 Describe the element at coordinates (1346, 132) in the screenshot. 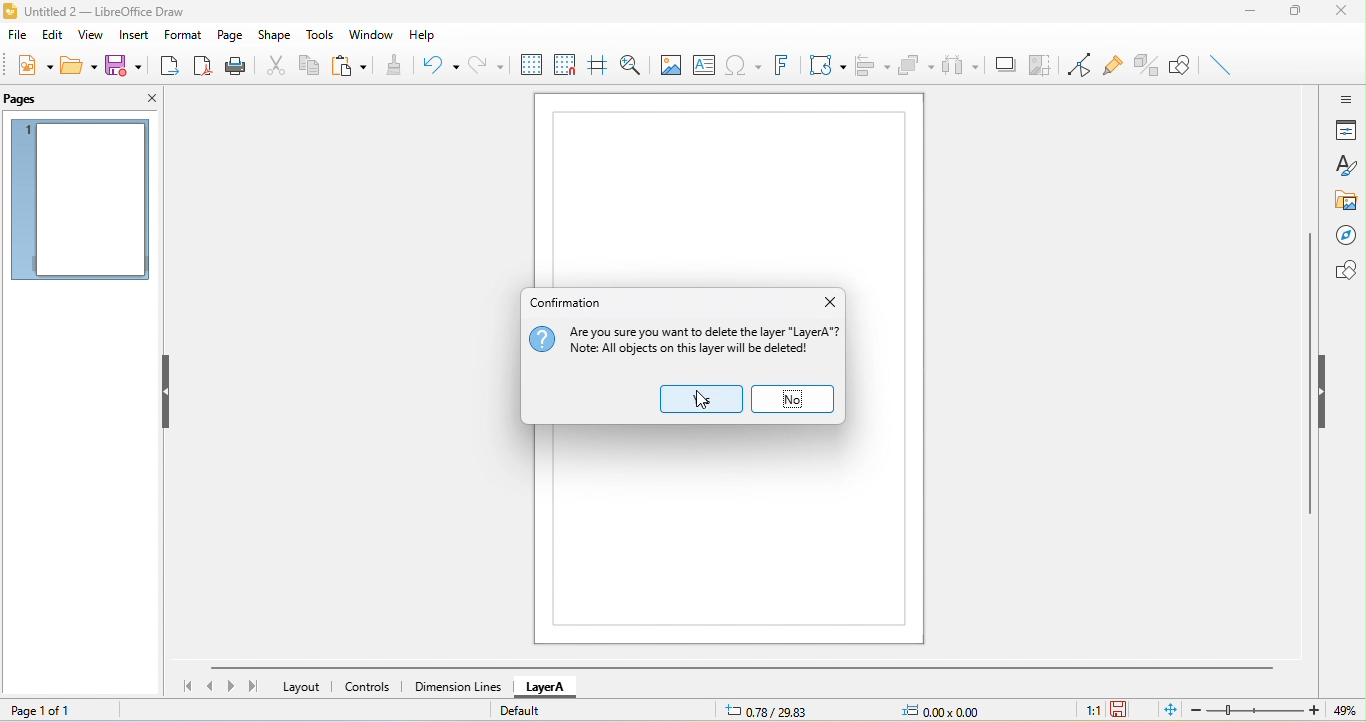

I see `properties` at that location.